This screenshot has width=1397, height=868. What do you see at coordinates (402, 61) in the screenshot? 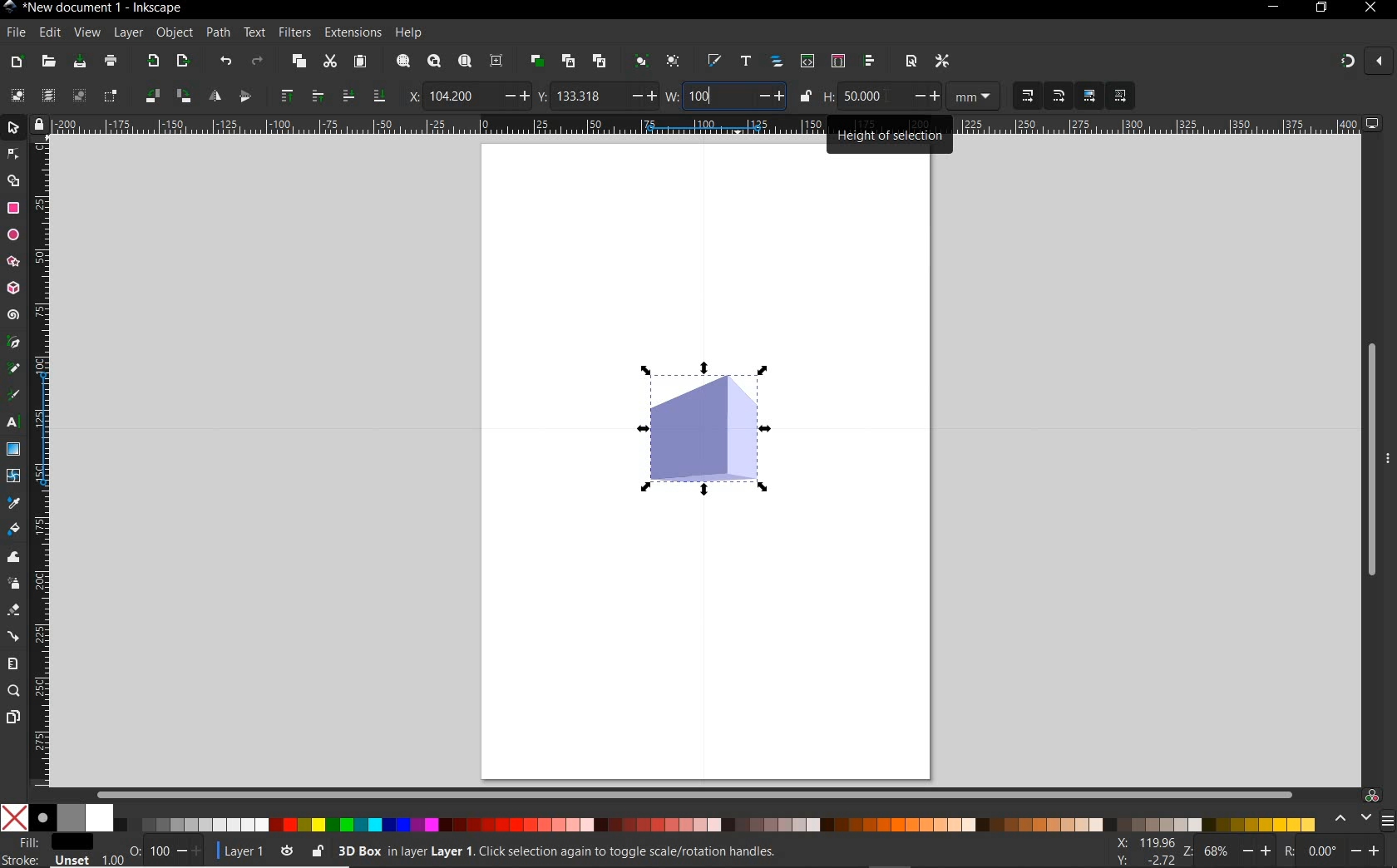
I see `zoom selection` at bounding box center [402, 61].